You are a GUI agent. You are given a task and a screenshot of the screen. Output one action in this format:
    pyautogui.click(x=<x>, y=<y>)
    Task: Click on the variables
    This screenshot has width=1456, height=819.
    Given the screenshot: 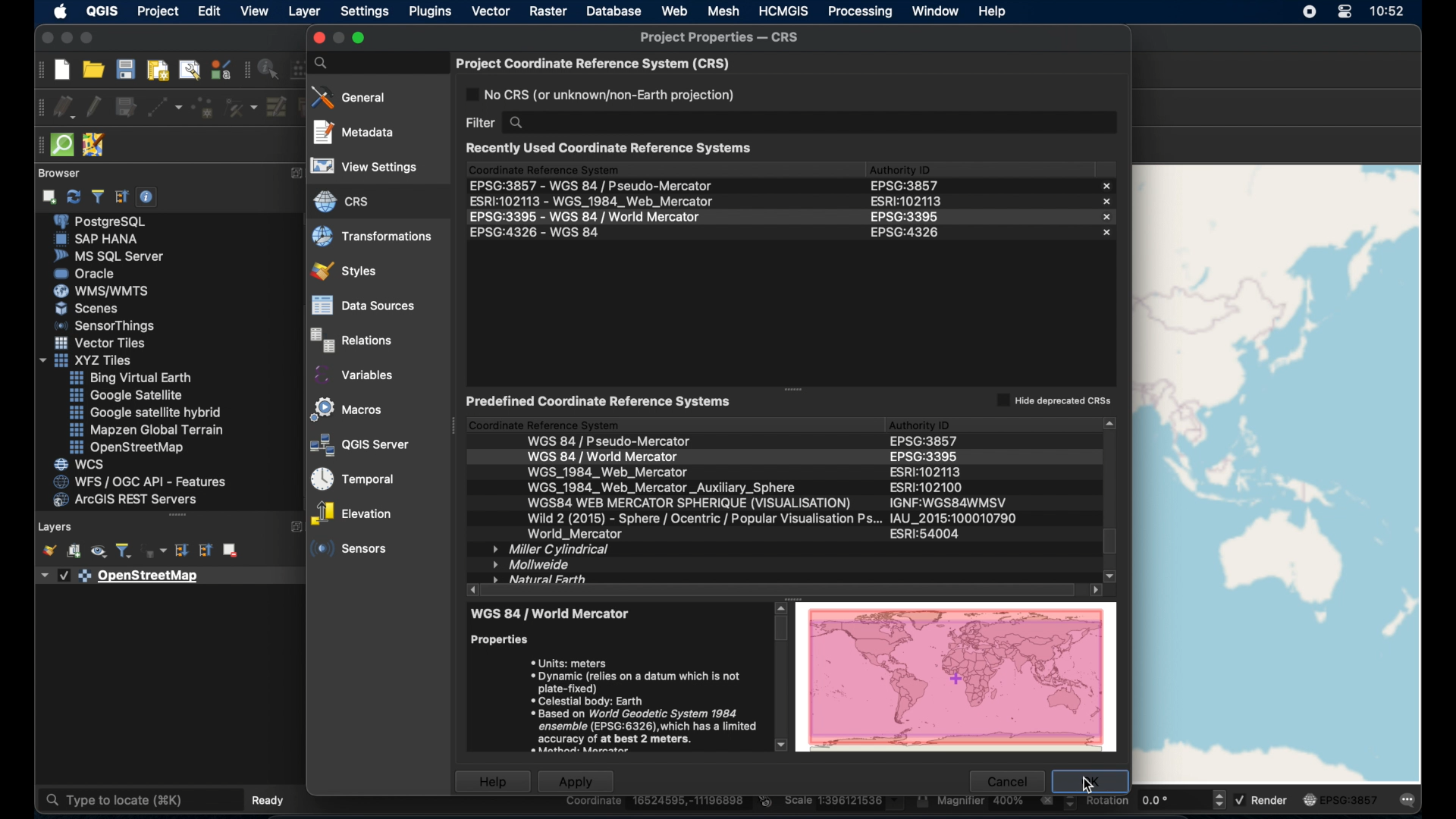 What is the action you would take?
    pyautogui.click(x=355, y=373)
    